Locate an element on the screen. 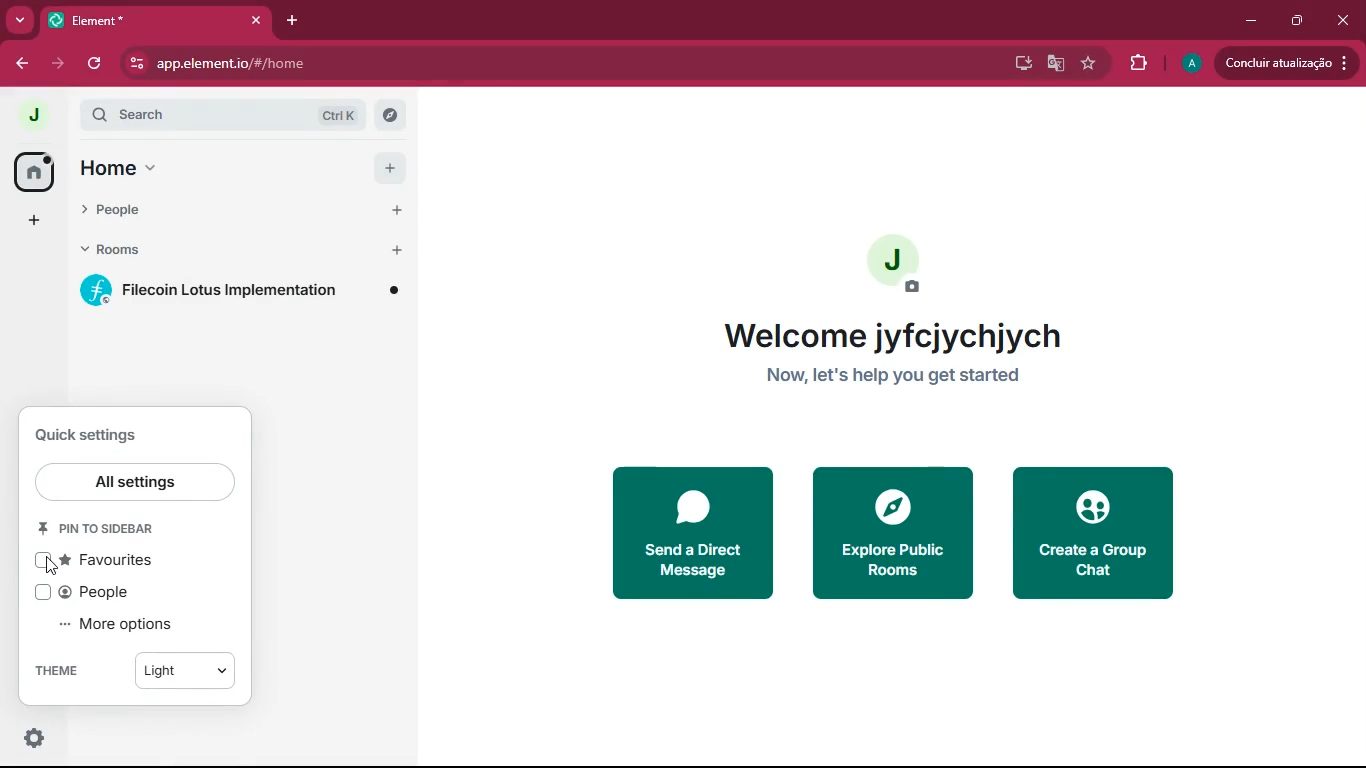 The height and width of the screenshot is (768, 1366). Add people is located at coordinates (395, 212).